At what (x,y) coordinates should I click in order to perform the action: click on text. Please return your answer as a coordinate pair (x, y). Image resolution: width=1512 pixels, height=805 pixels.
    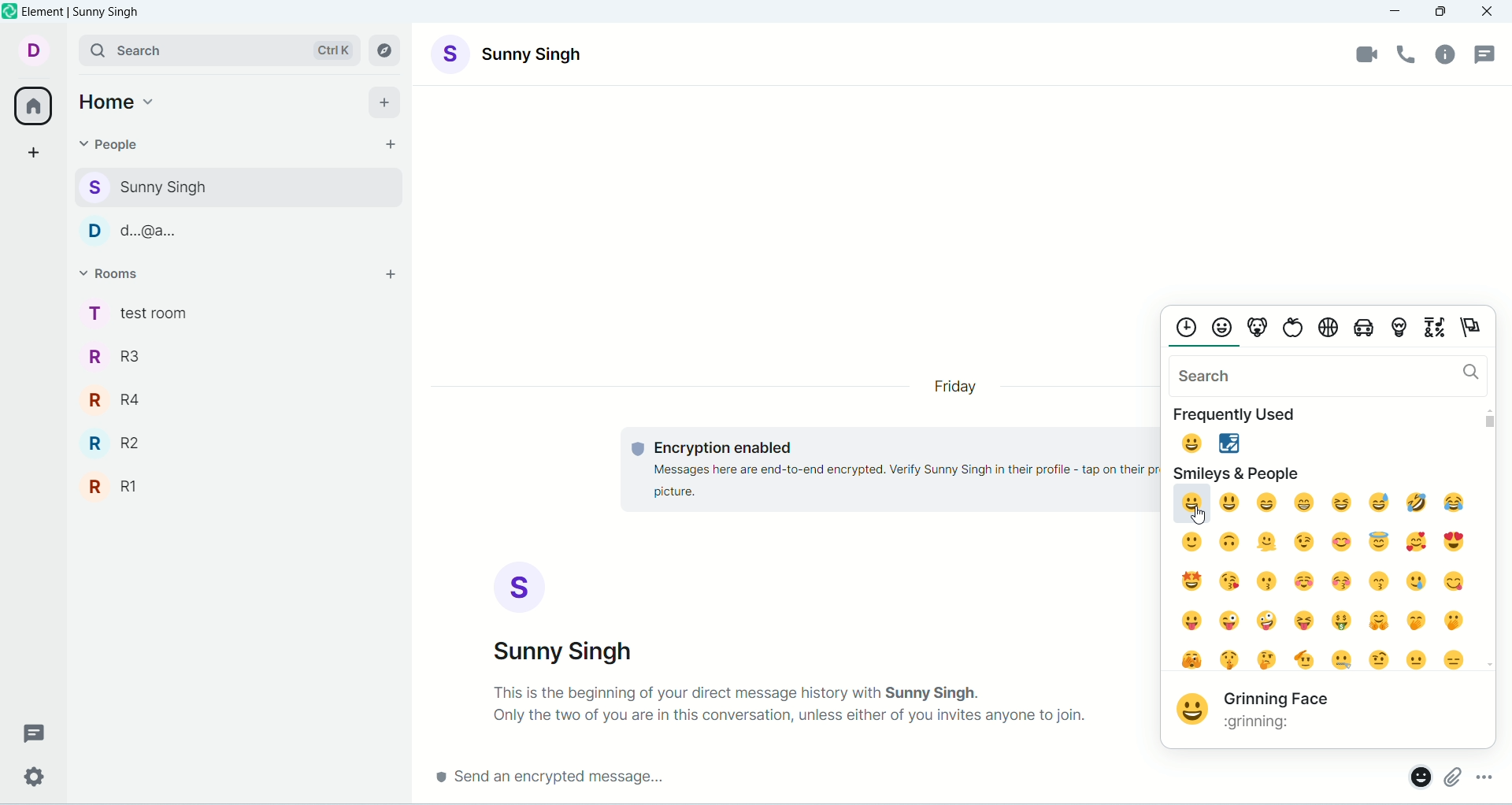
    Looking at the image, I should click on (791, 704).